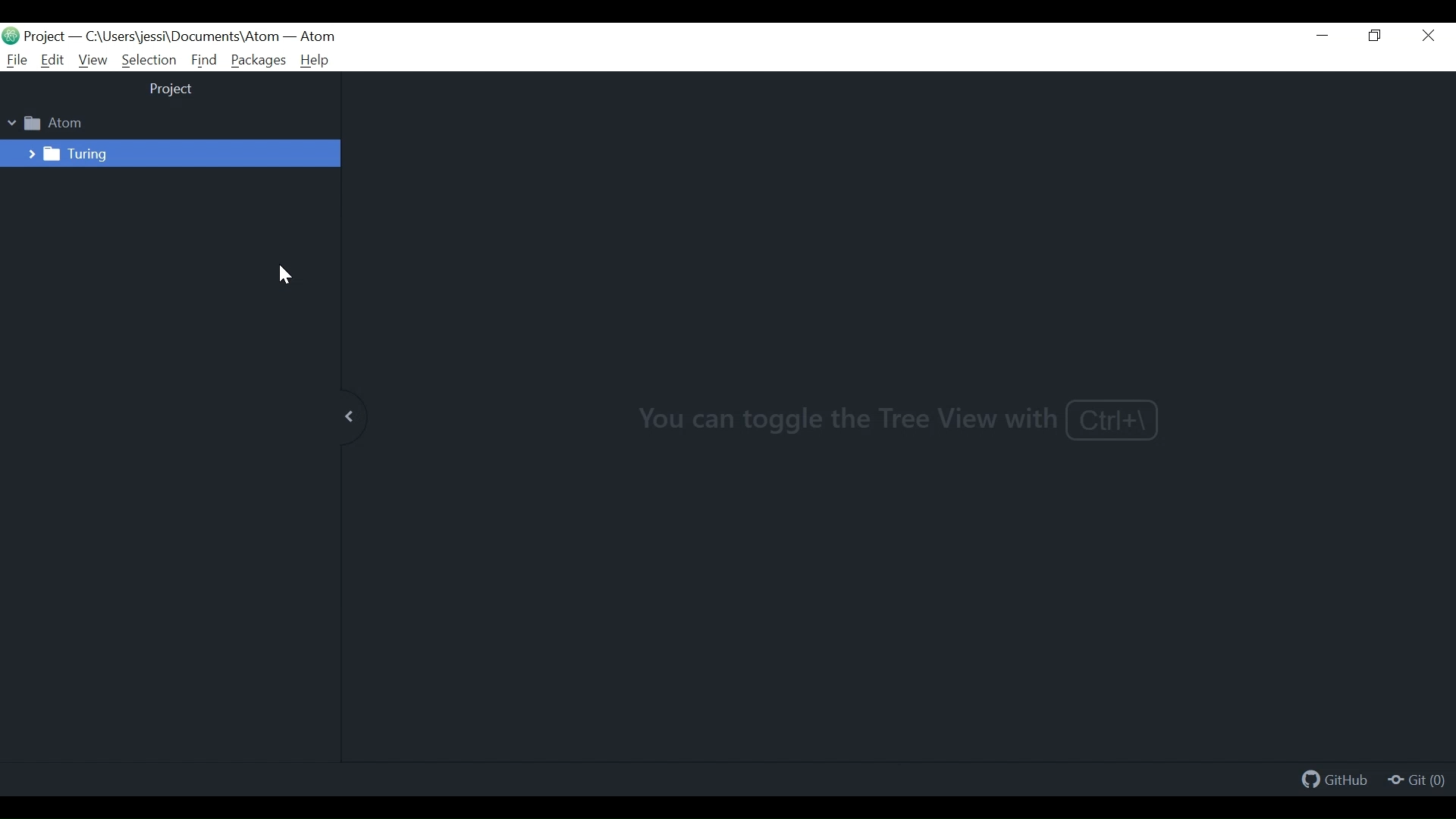 The height and width of the screenshot is (819, 1456). What do you see at coordinates (1325, 37) in the screenshot?
I see `Minimize` at bounding box center [1325, 37].